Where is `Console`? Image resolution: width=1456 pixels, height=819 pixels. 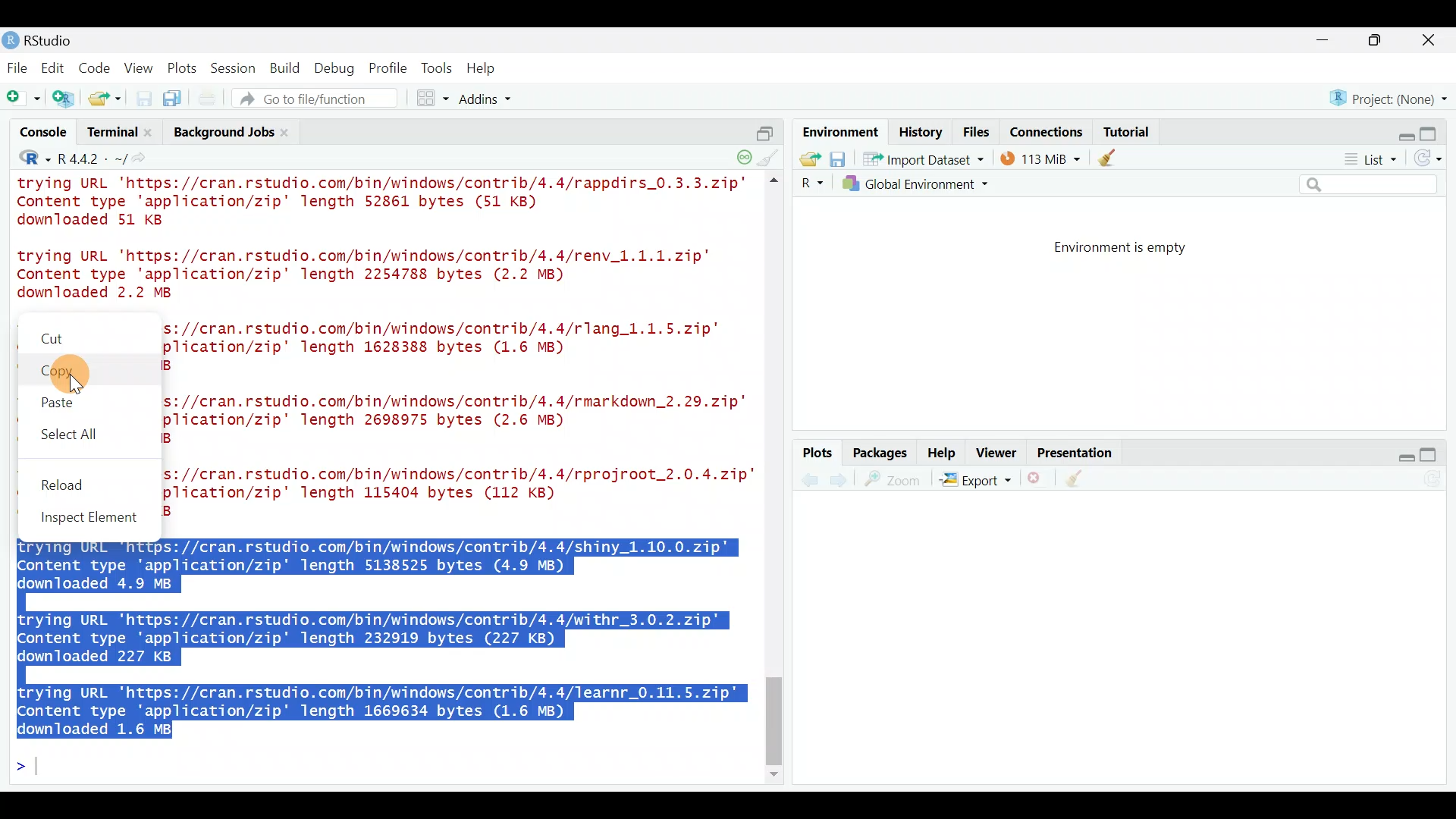 Console is located at coordinates (45, 134).